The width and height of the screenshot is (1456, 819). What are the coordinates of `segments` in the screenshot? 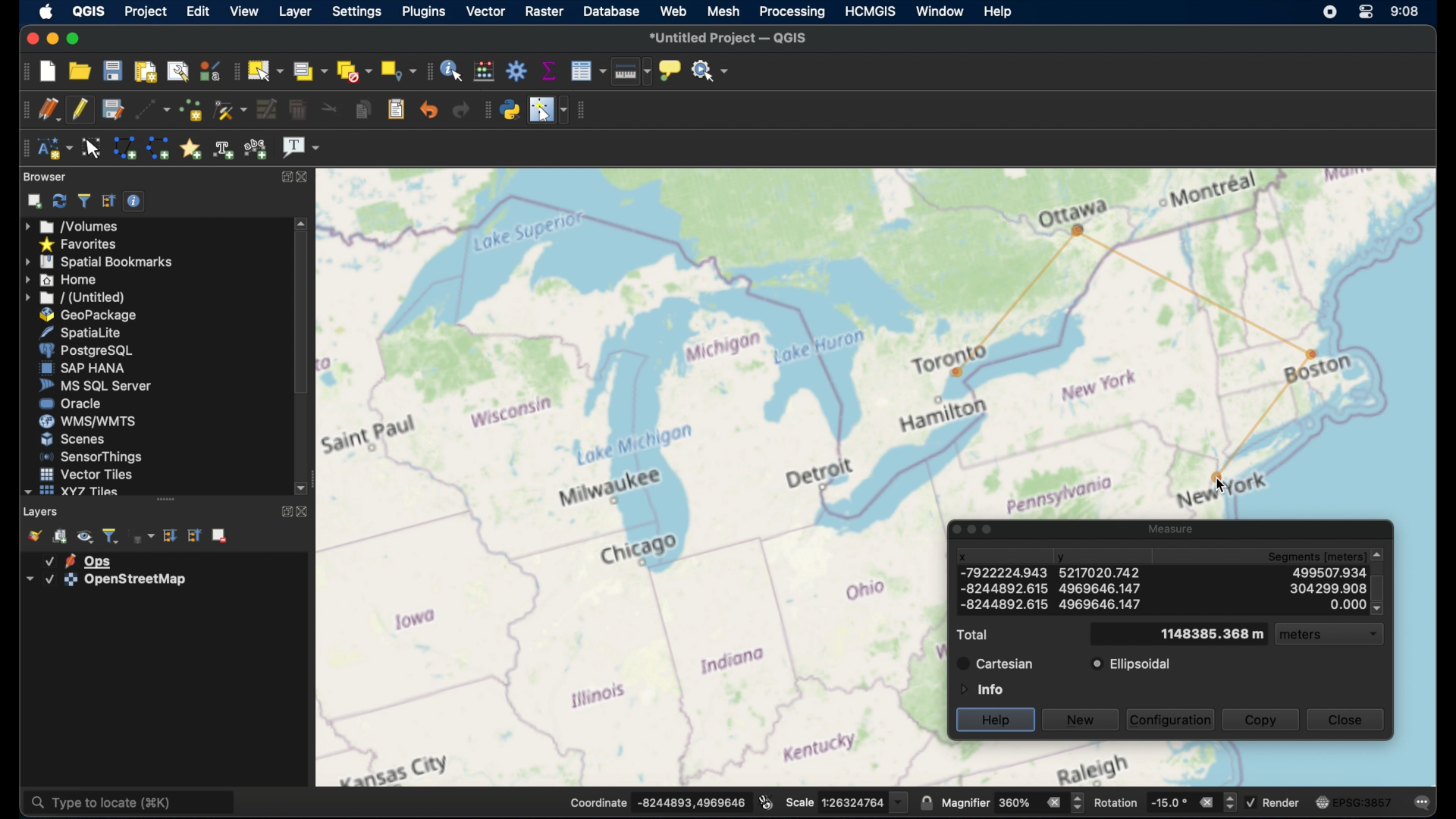 It's located at (1328, 604).